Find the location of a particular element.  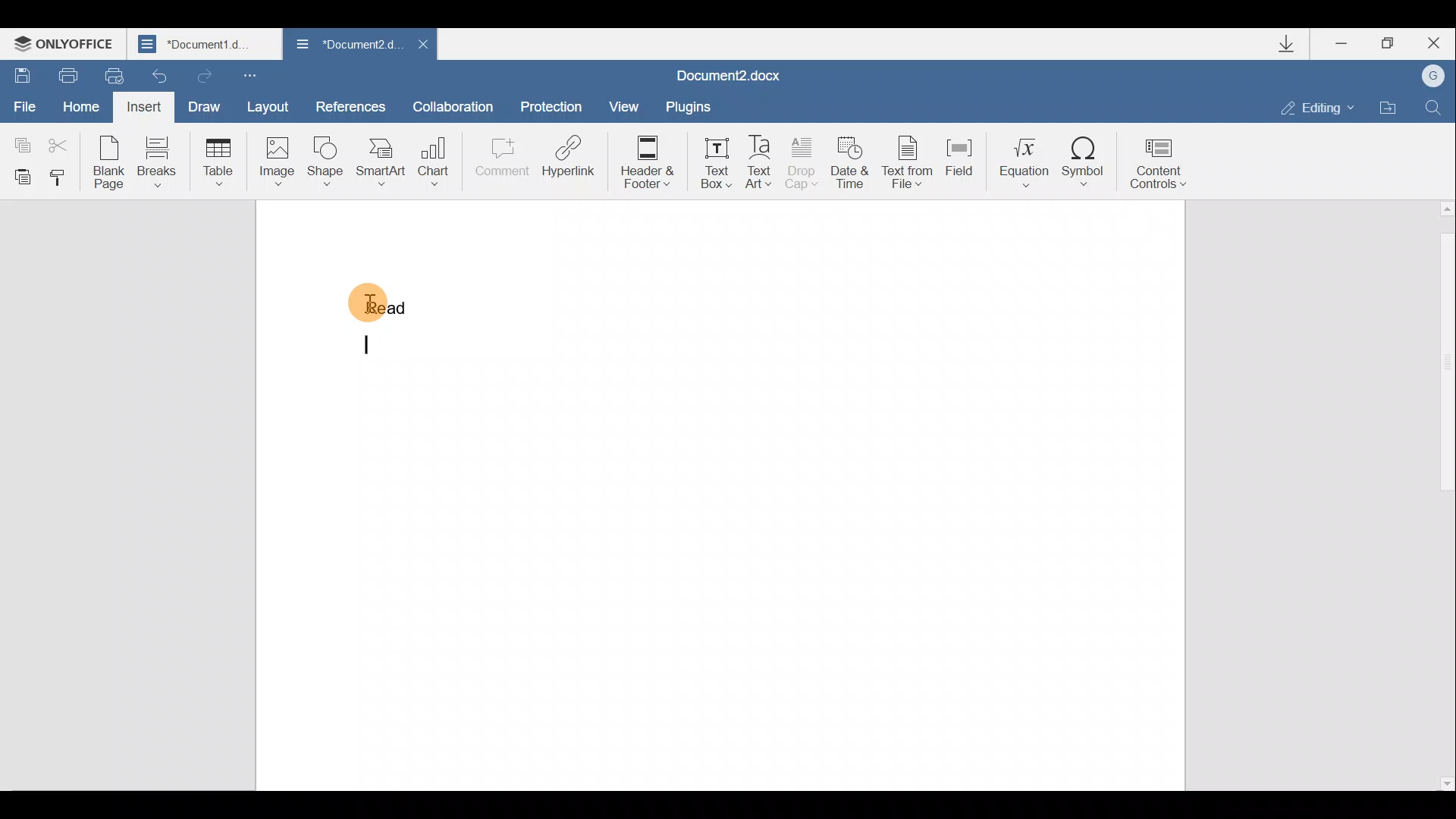

Customize quick access toolbar is located at coordinates (249, 76).